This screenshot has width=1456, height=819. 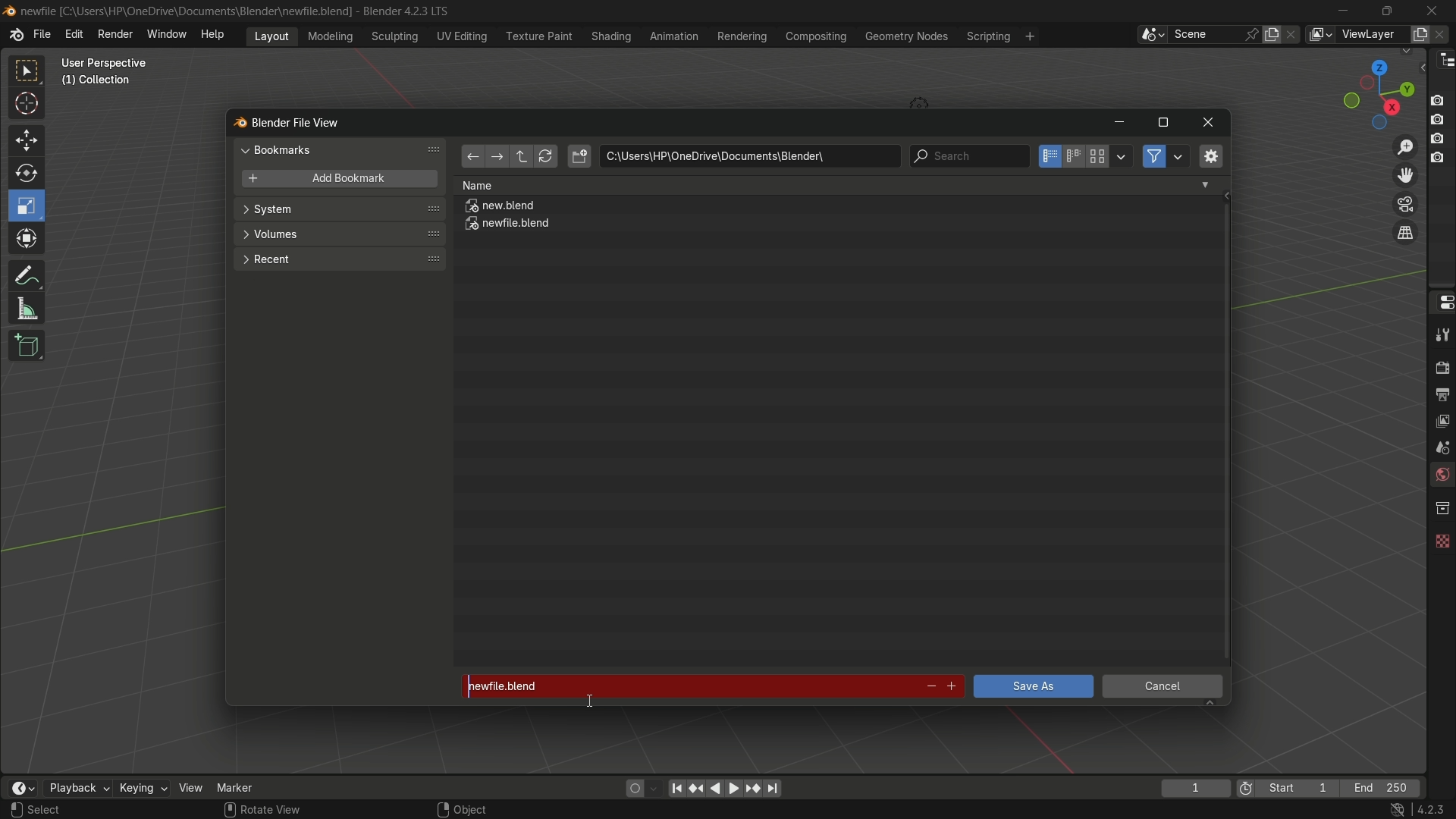 I want to click on blend logo, so click(x=234, y=124).